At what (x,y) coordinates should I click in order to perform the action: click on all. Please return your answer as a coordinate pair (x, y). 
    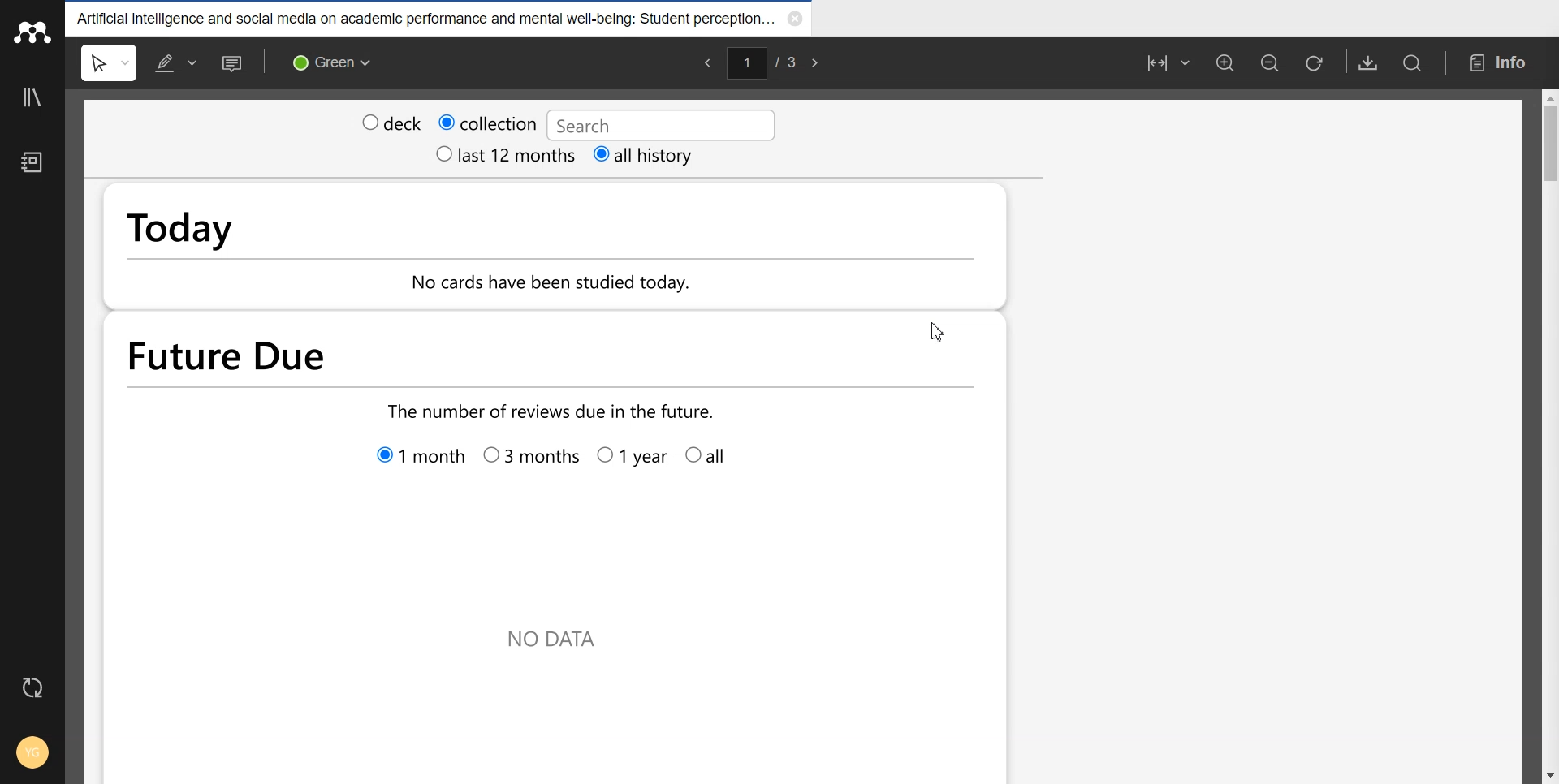
    Looking at the image, I should click on (716, 457).